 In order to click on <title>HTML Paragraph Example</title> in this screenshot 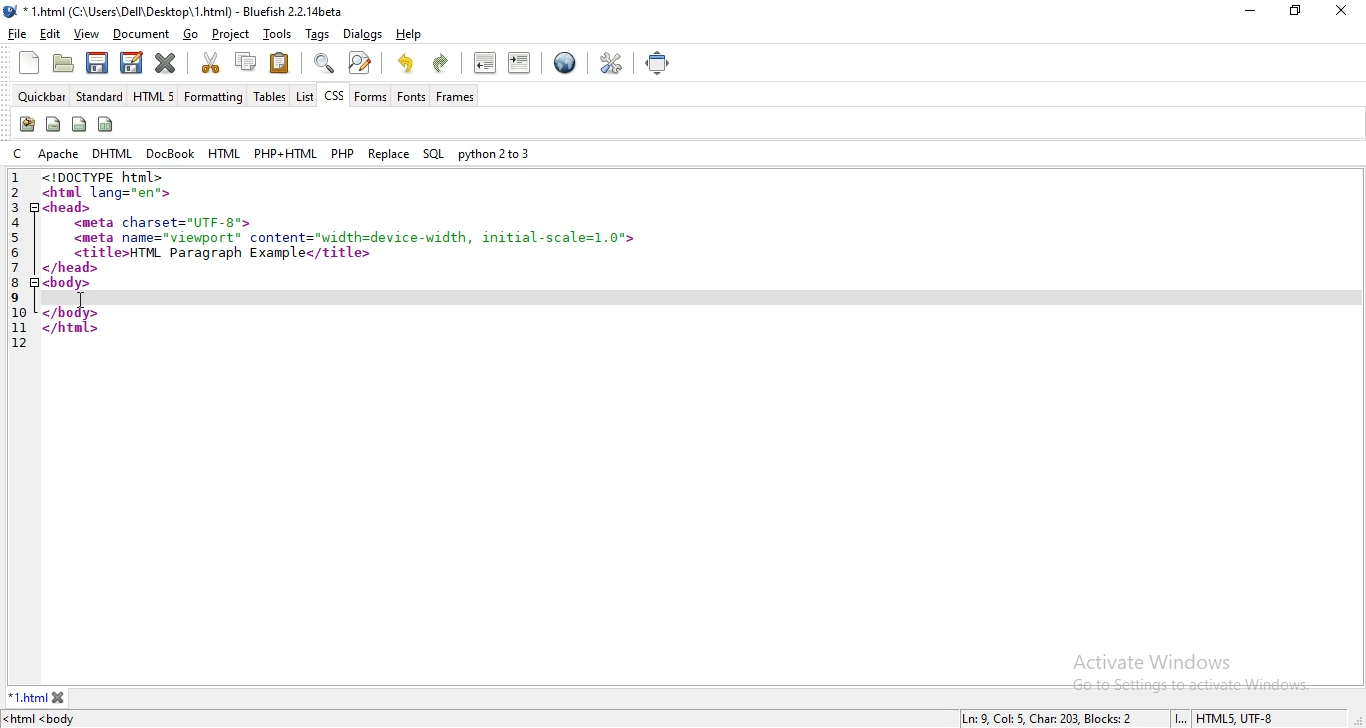, I will do `click(223, 253)`.